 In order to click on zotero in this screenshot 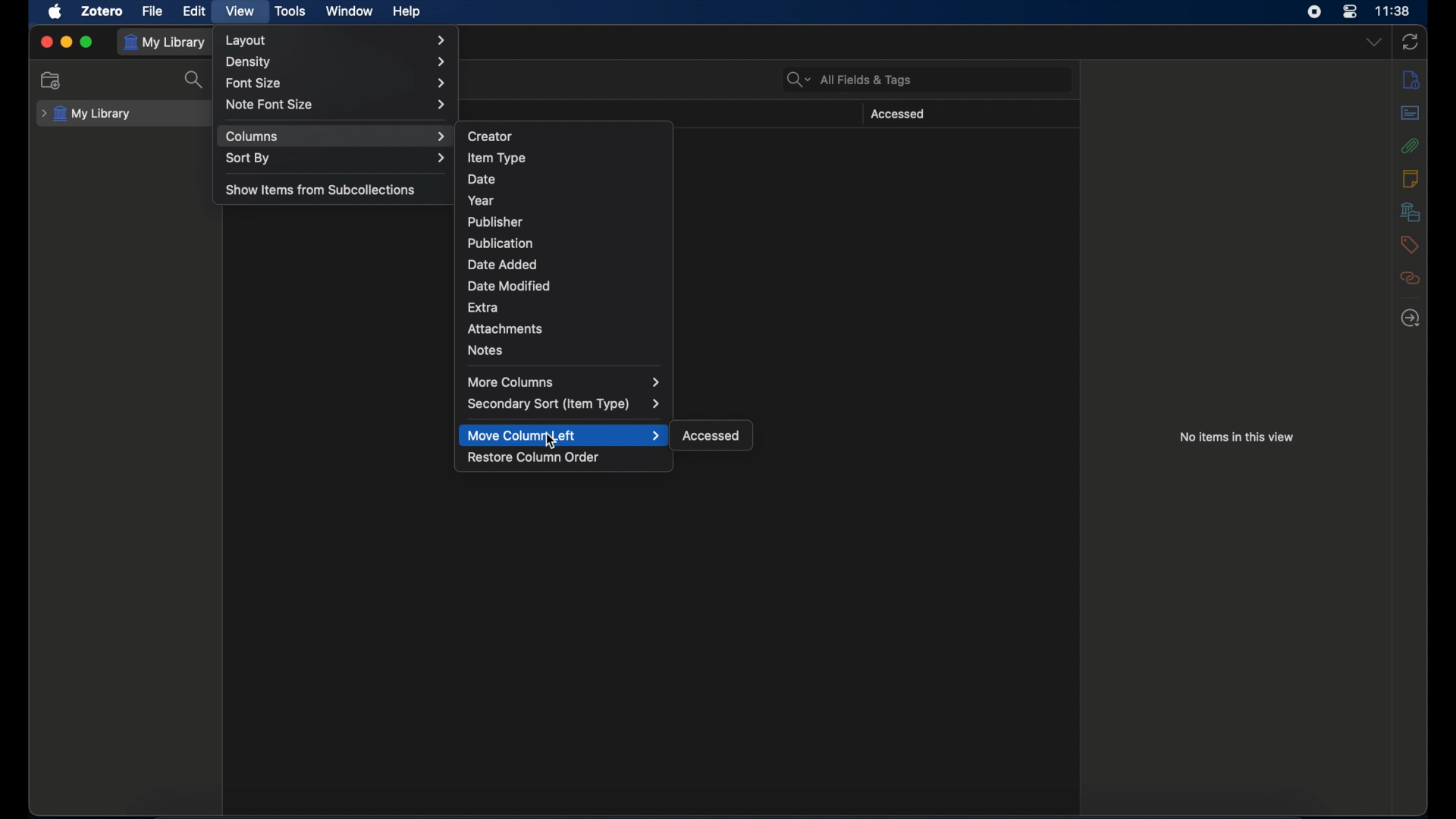, I will do `click(104, 11)`.